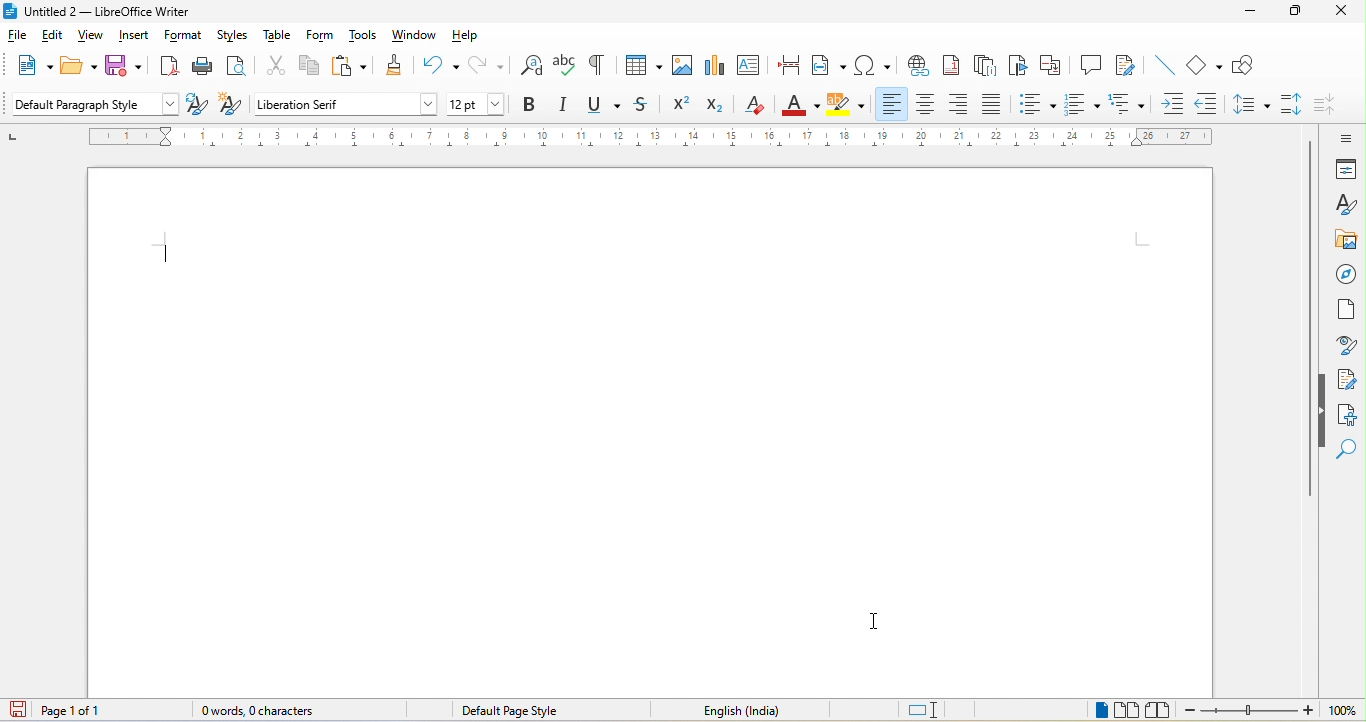 The width and height of the screenshot is (1366, 722). What do you see at coordinates (442, 68) in the screenshot?
I see `undo` at bounding box center [442, 68].